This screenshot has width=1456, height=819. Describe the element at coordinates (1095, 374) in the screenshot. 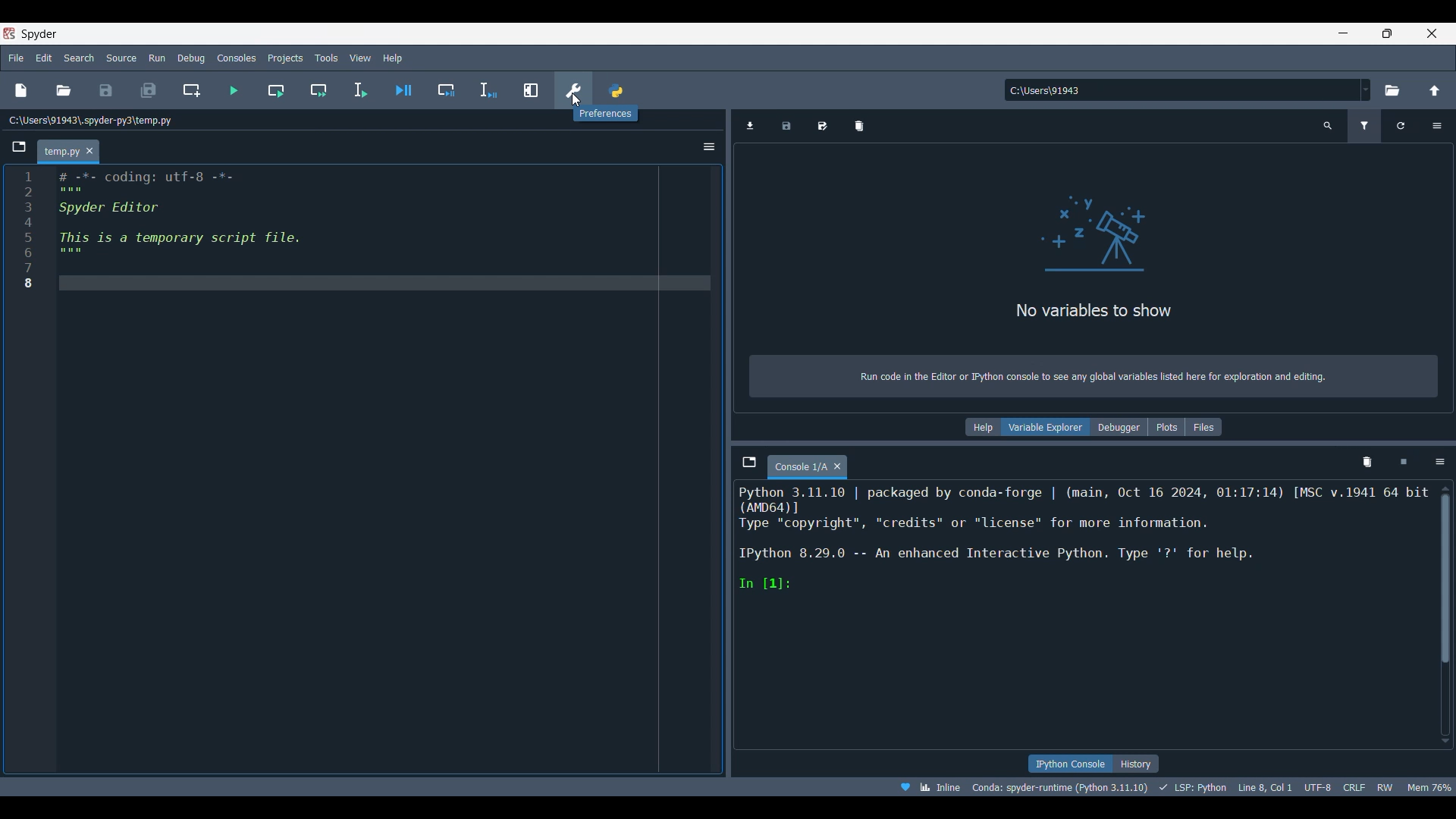

I see `notice` at that location.